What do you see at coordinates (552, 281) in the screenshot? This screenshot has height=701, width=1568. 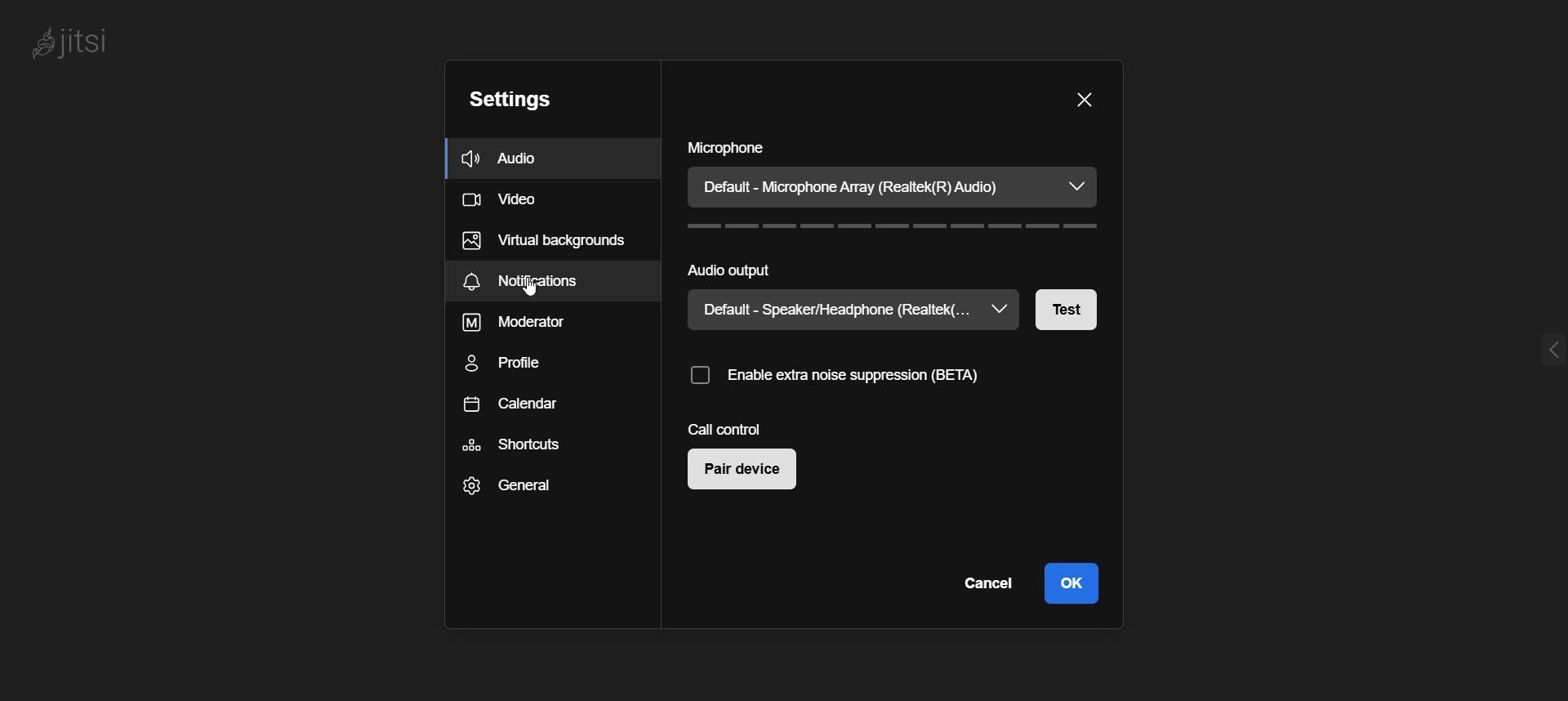 I see `Notification` at bounding box center [552, 281].